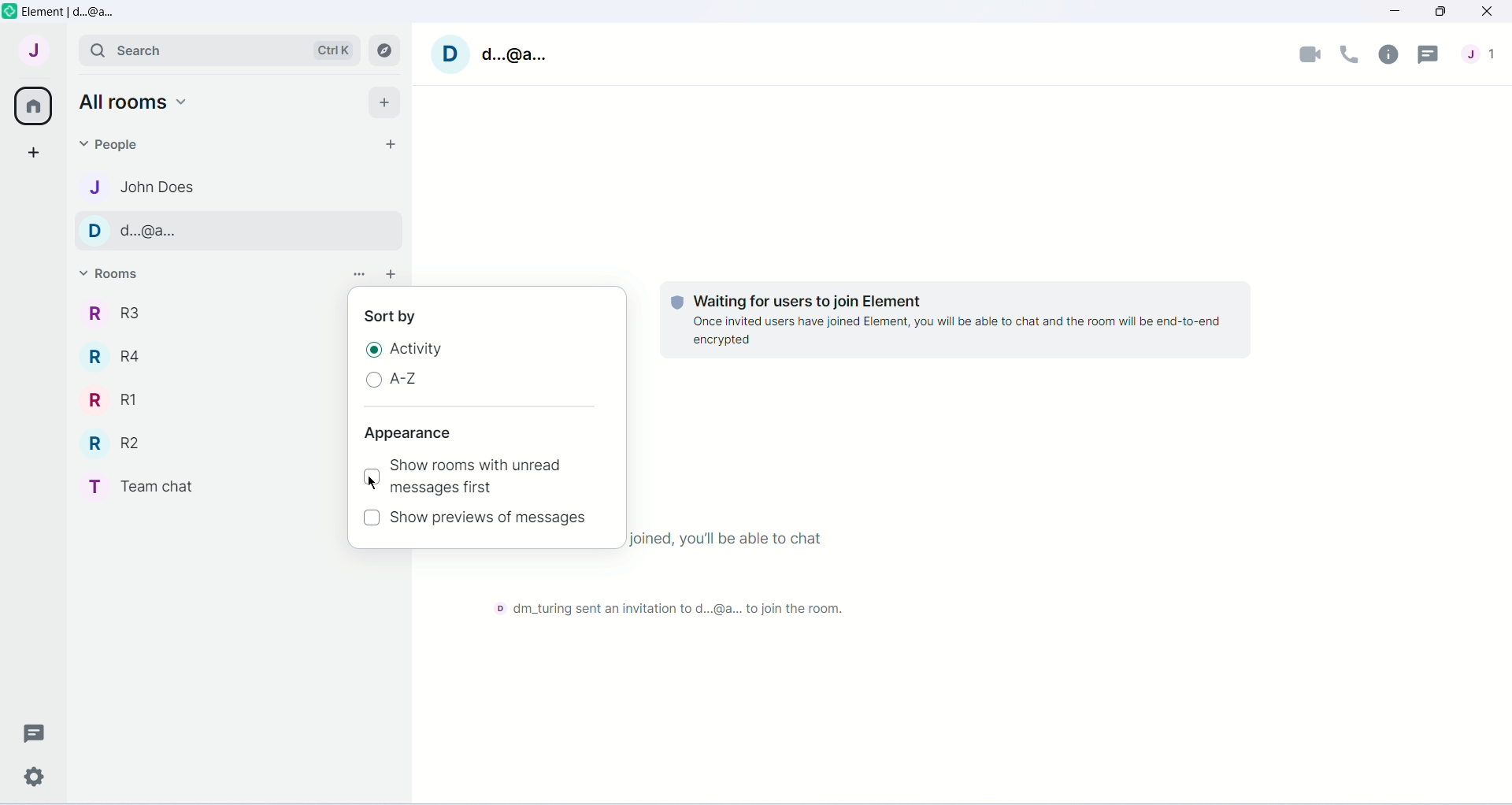  I want to click on User menu, so click(33, 50).